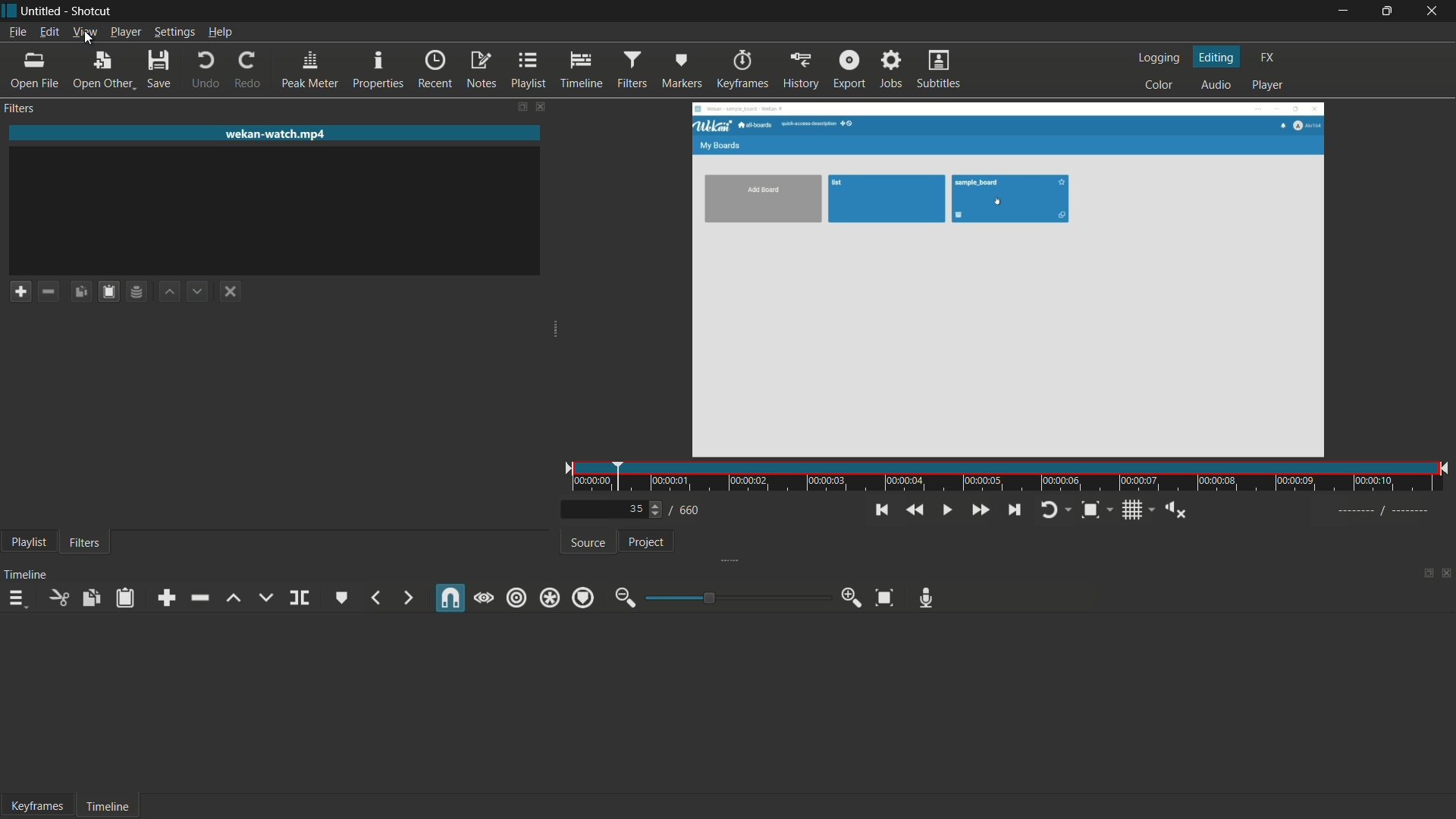 Image resolution: width=1456 pixels, height=819 pixels. What do you see at coordinates (926, 598) in the screenshot?
I see `record audio` at bounding box center [926, 598].